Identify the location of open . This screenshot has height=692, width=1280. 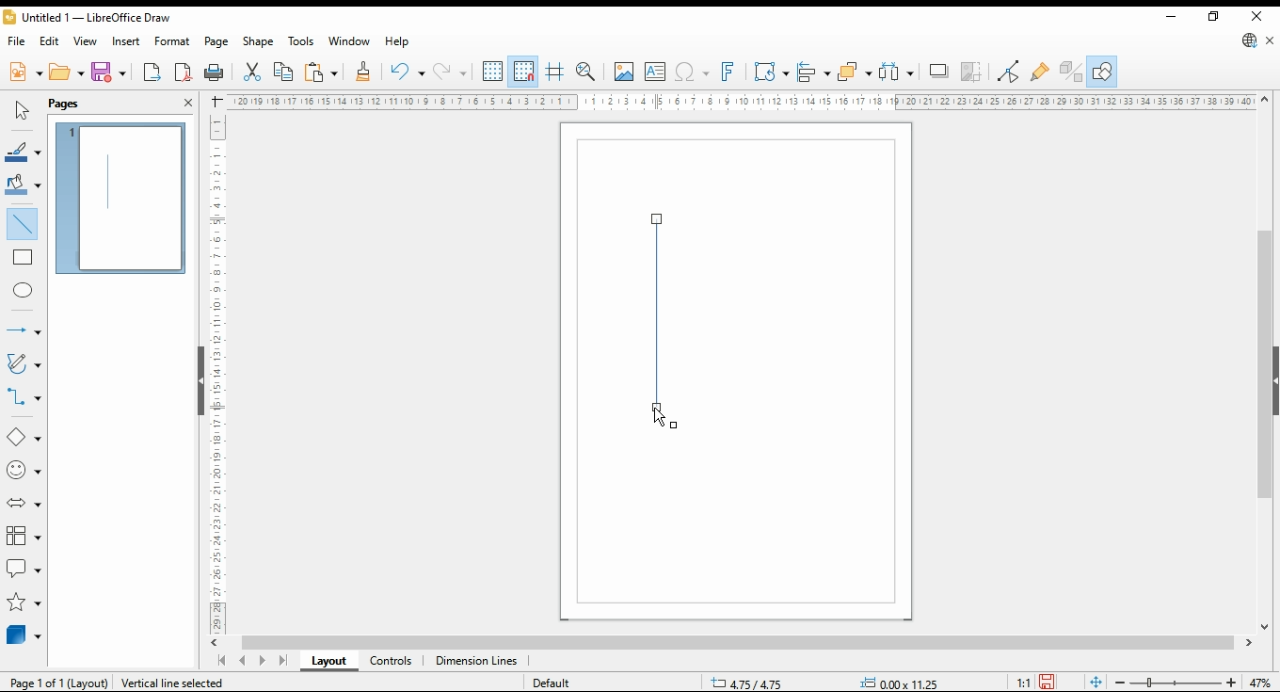
(67, 72).